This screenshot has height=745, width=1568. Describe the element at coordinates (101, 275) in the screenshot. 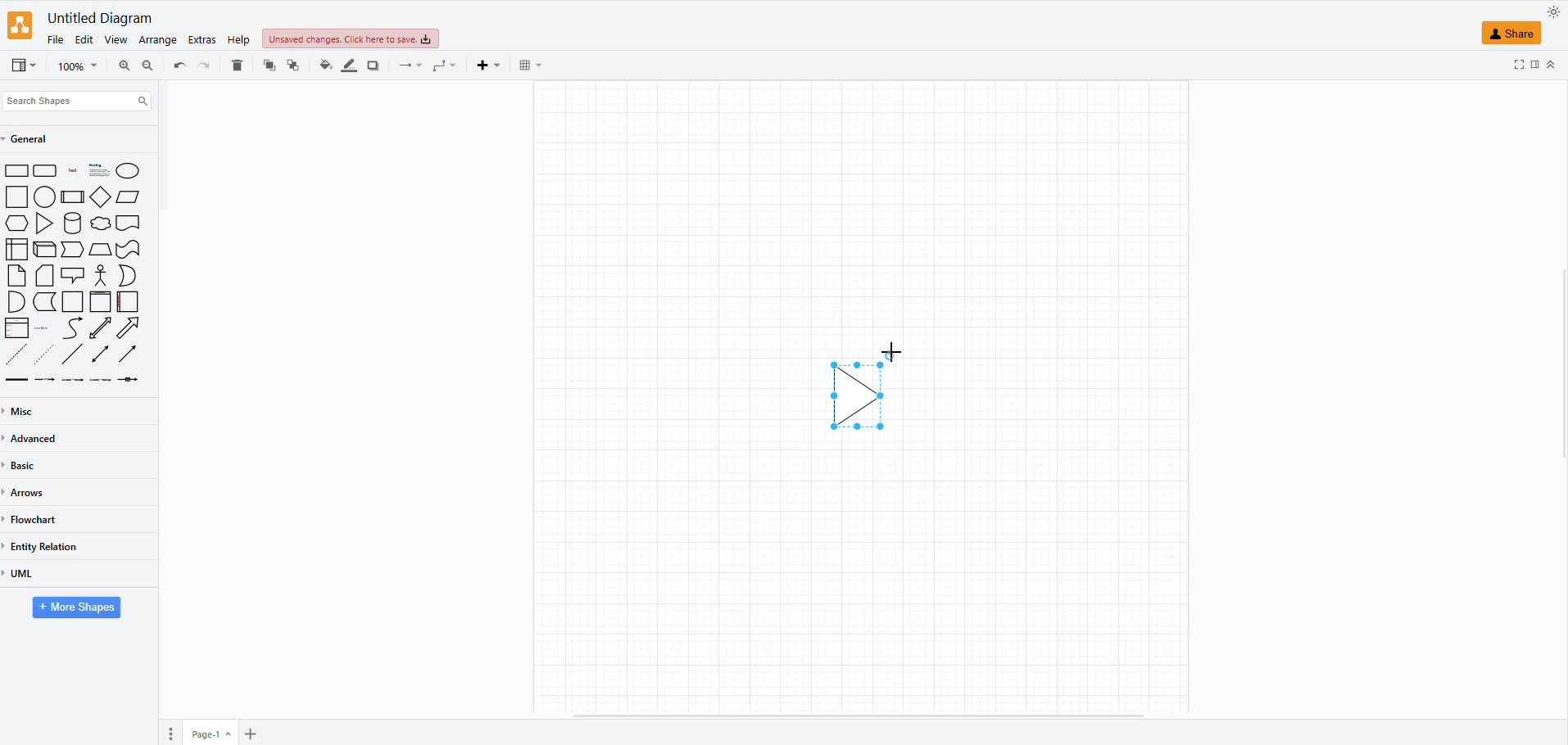

I see `Person` at that location.